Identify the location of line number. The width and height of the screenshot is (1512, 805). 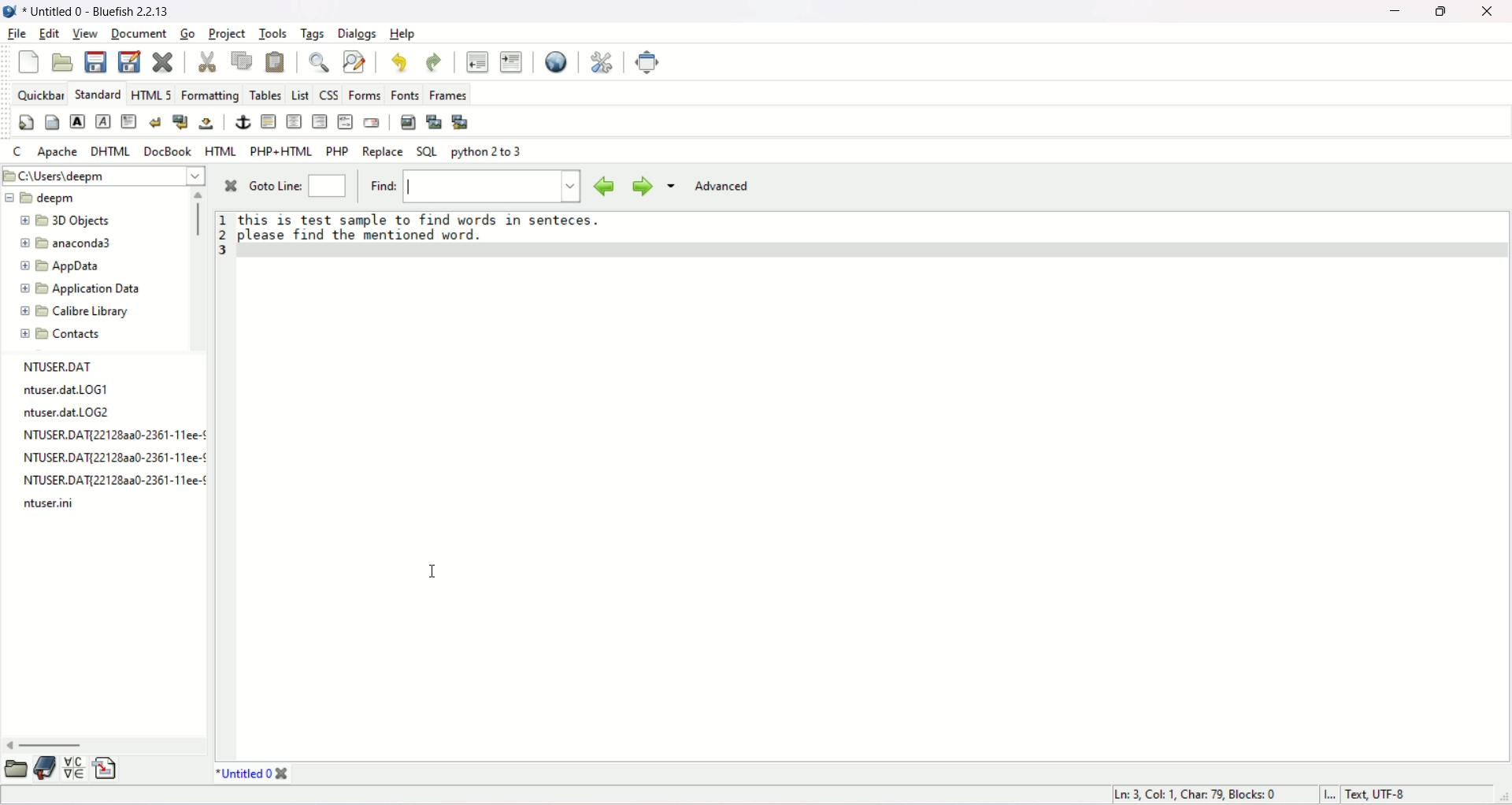
(221, 236).